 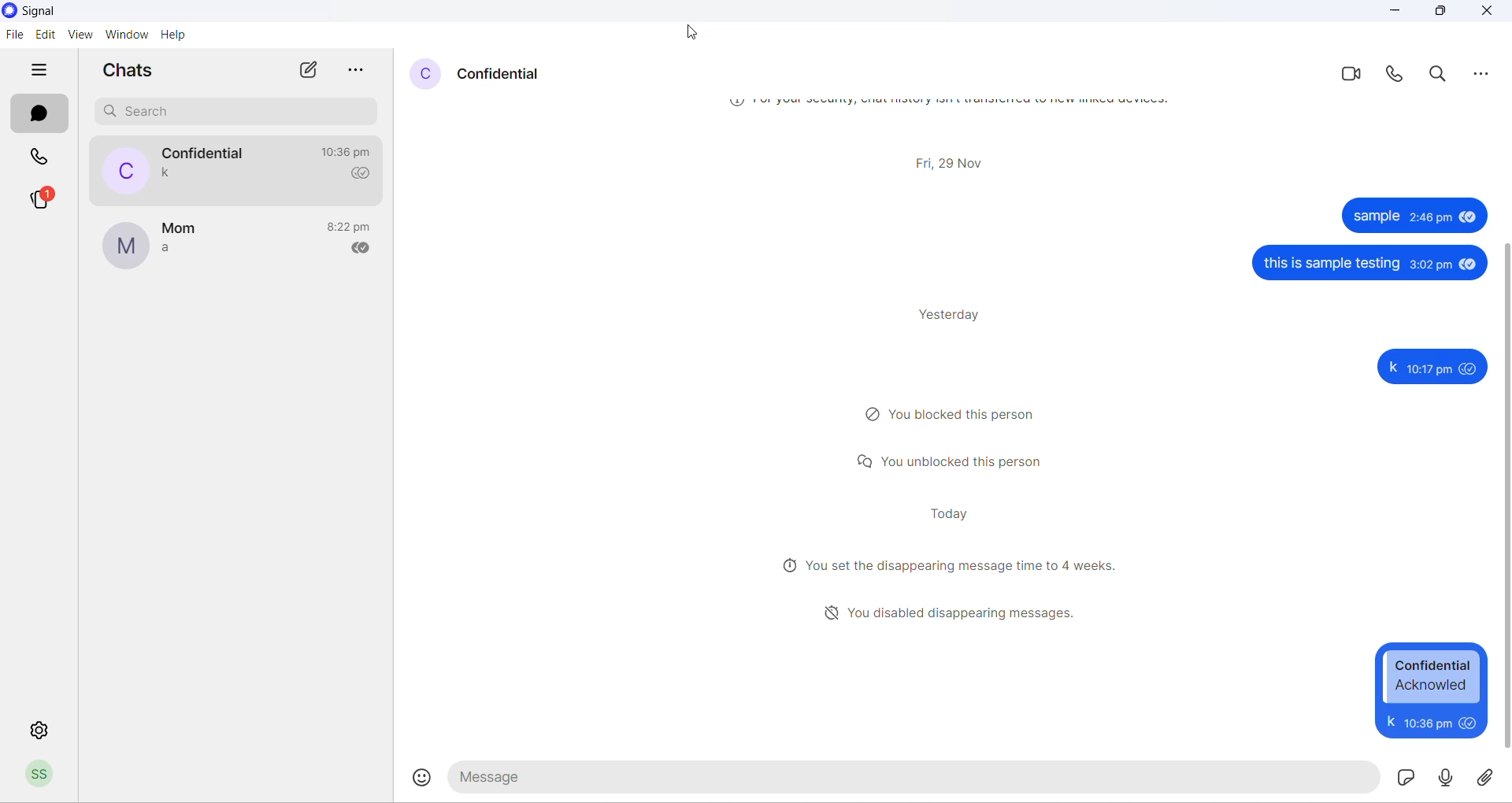 What do you see at coordinates (1486, 76) in the screenshot?
I see `more options` at bounding box center [1486, 76].